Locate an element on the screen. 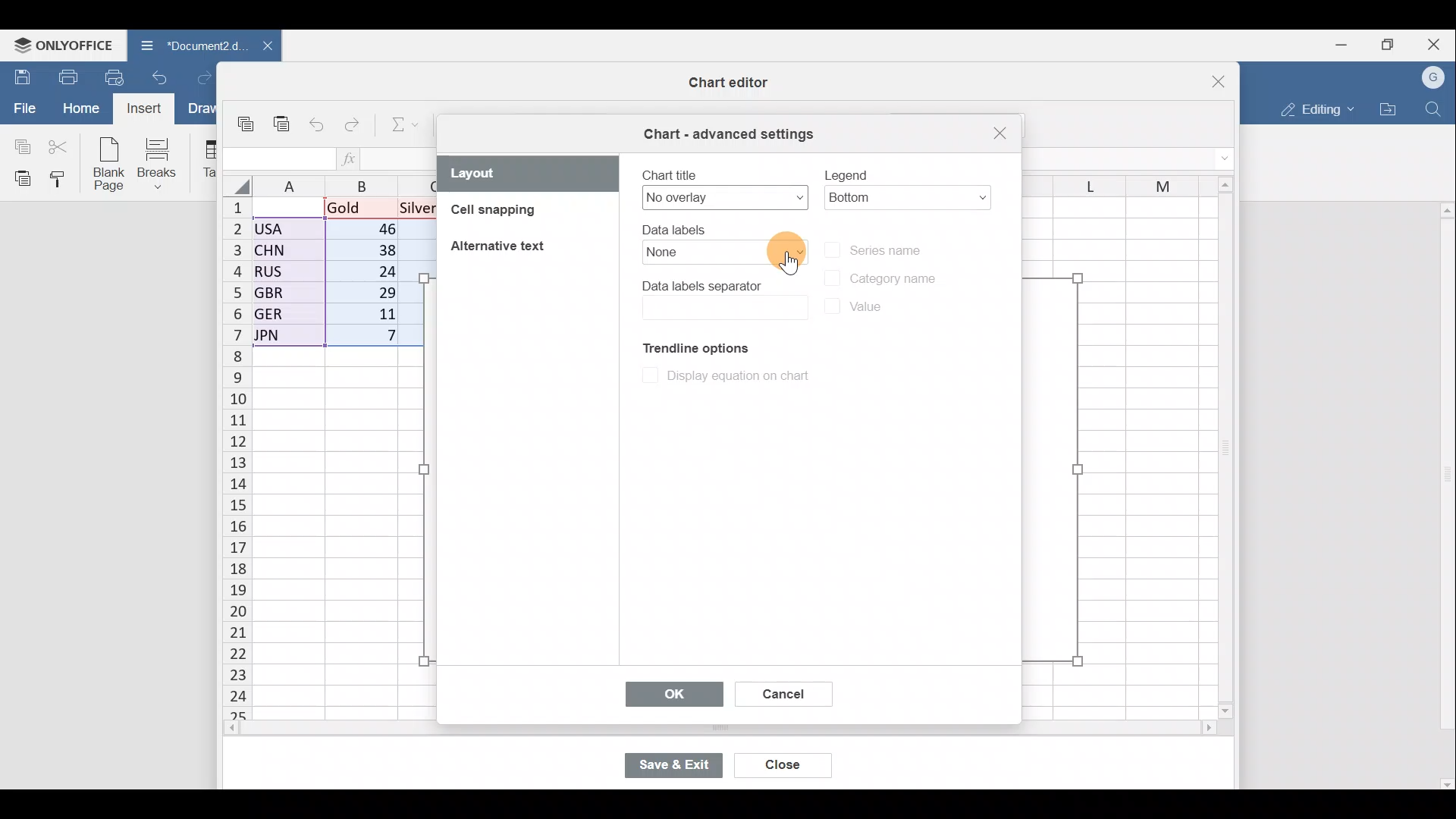  Cursor on data labels is located at coordinates (788, 247).